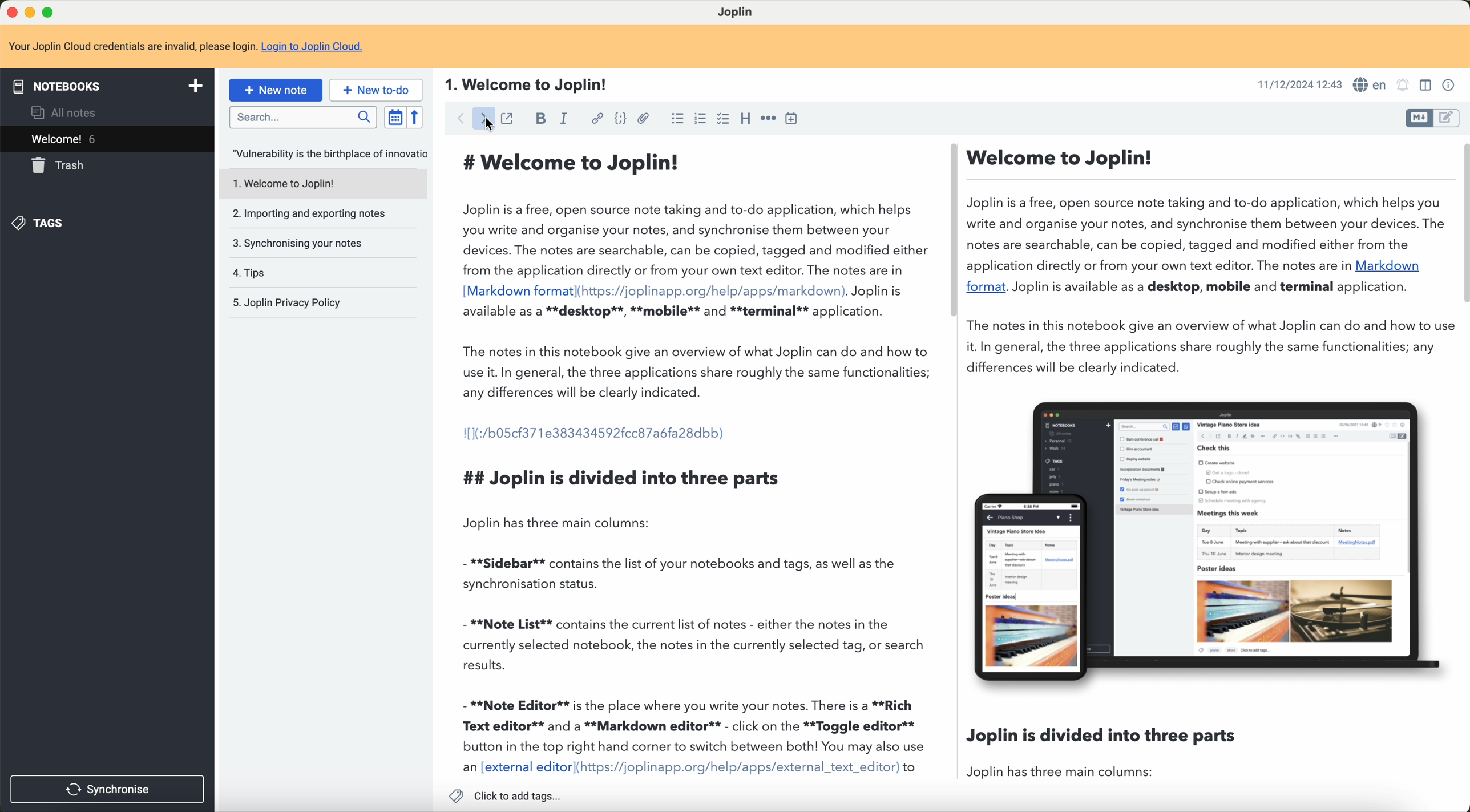 The height and width of the screenshot is (812, 1470). I want to click on application directly or from your own text editor. The notes are in, so click(1157, 268).